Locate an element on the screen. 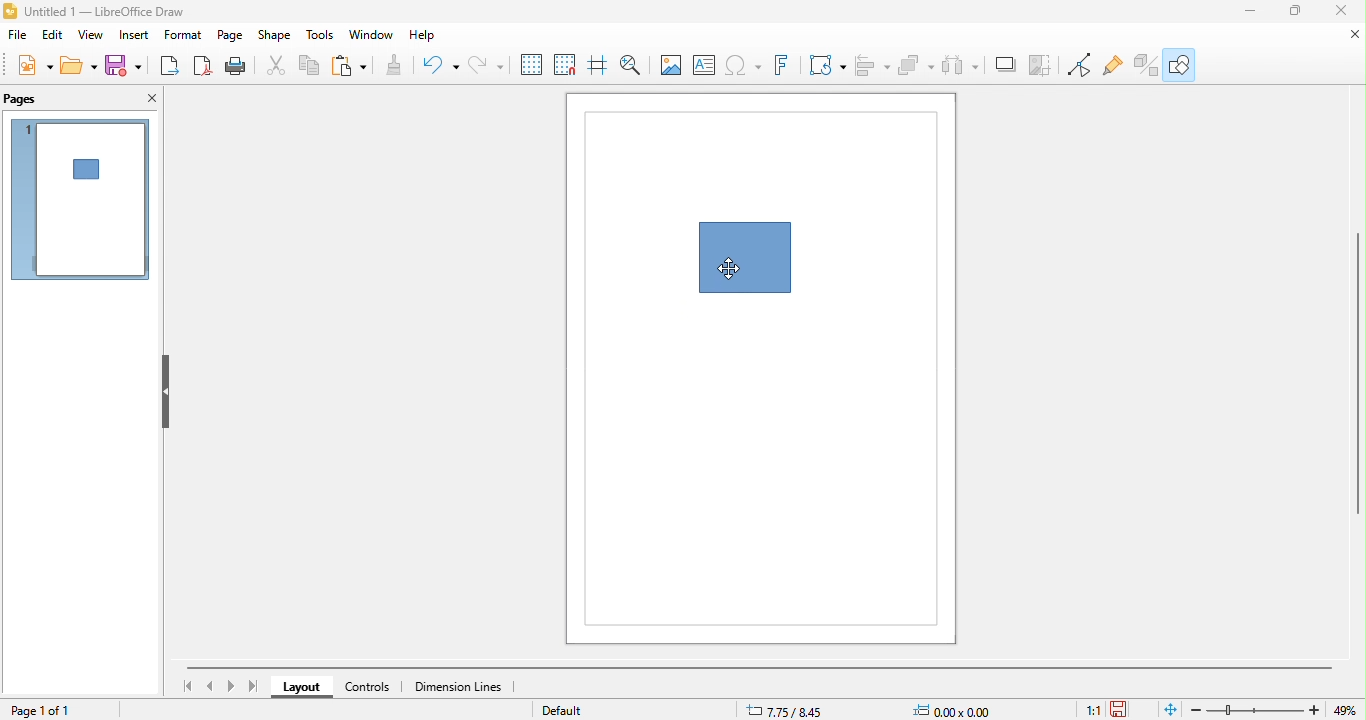 The height and width of the screenshot is (720, 1366). toggle point edit mode is located at coordinates (1045, 66).